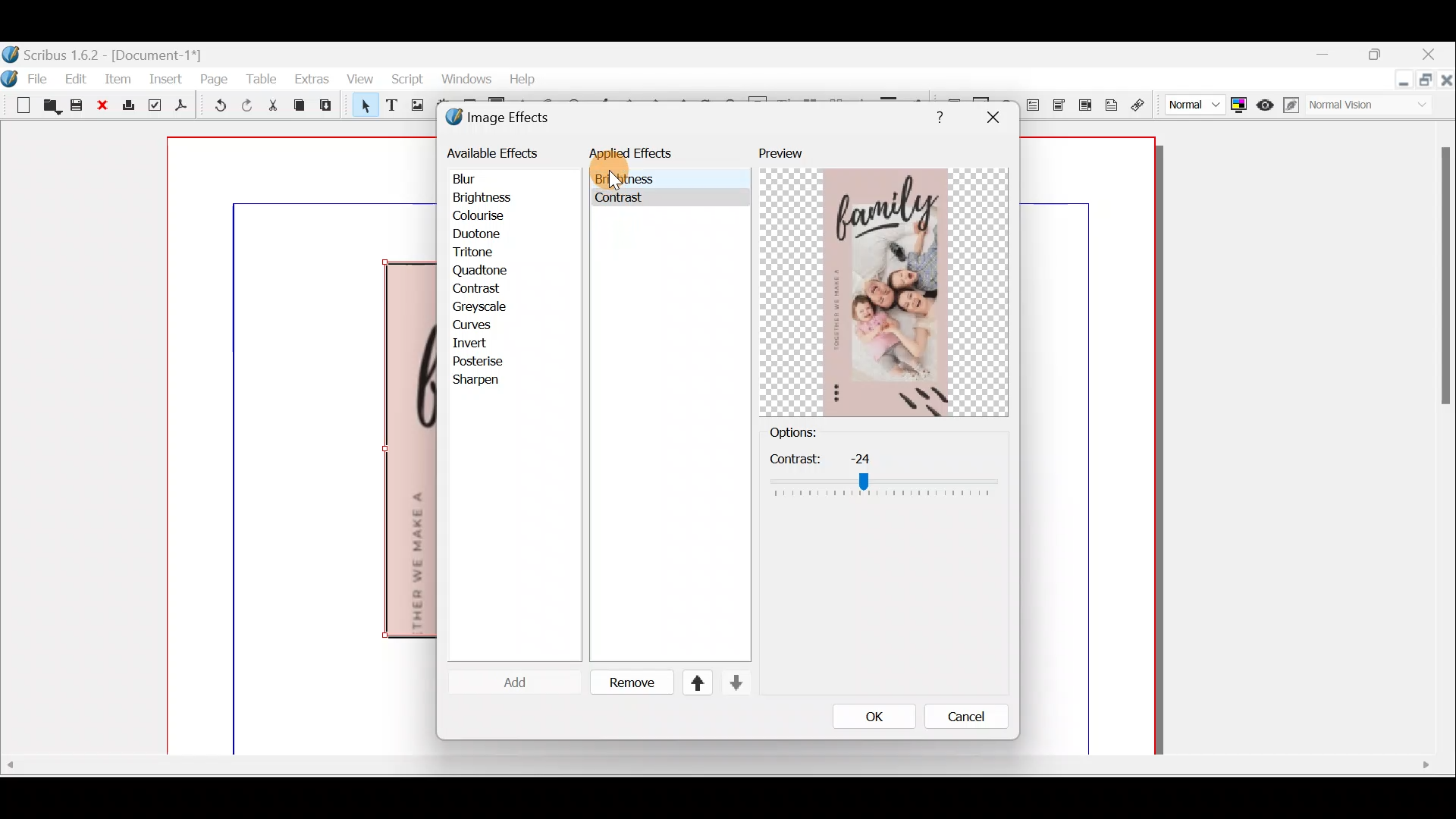 The height and width of the screenshot is (819, 1456). Describe the element at coordinates (407, 81) in the screenshot. I see `Script` at that location.